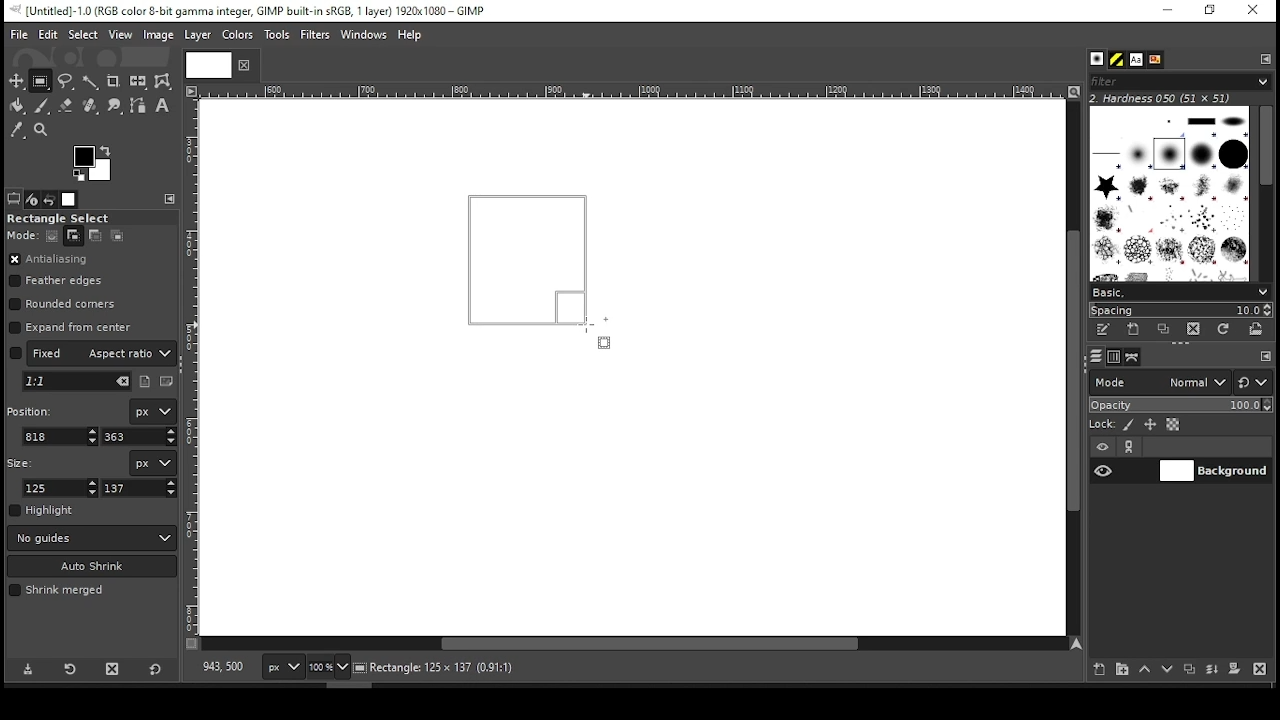  I want to click on replace current selection, so click(53, 236).